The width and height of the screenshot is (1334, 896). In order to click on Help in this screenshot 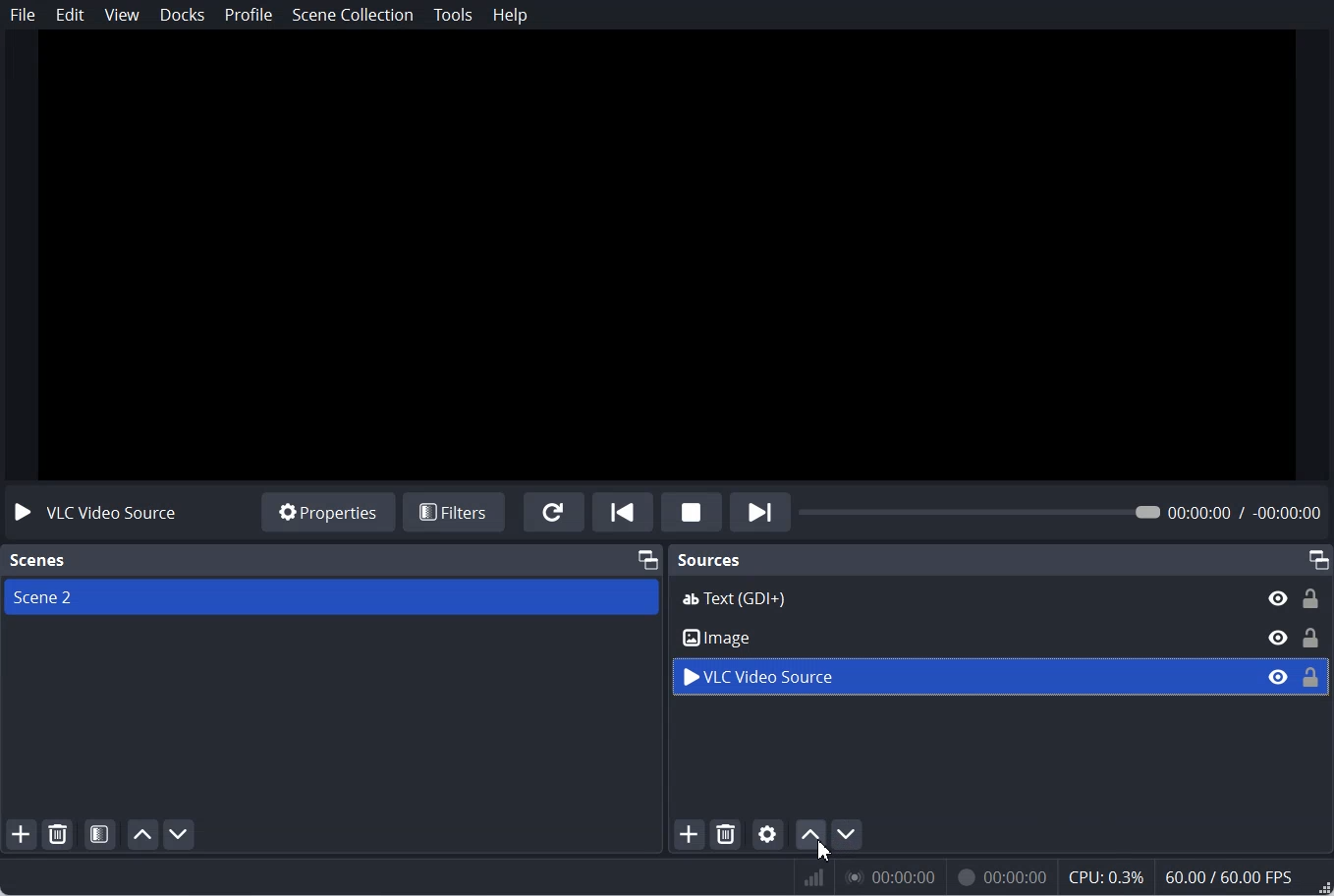, I will do `click(511, 16)`.